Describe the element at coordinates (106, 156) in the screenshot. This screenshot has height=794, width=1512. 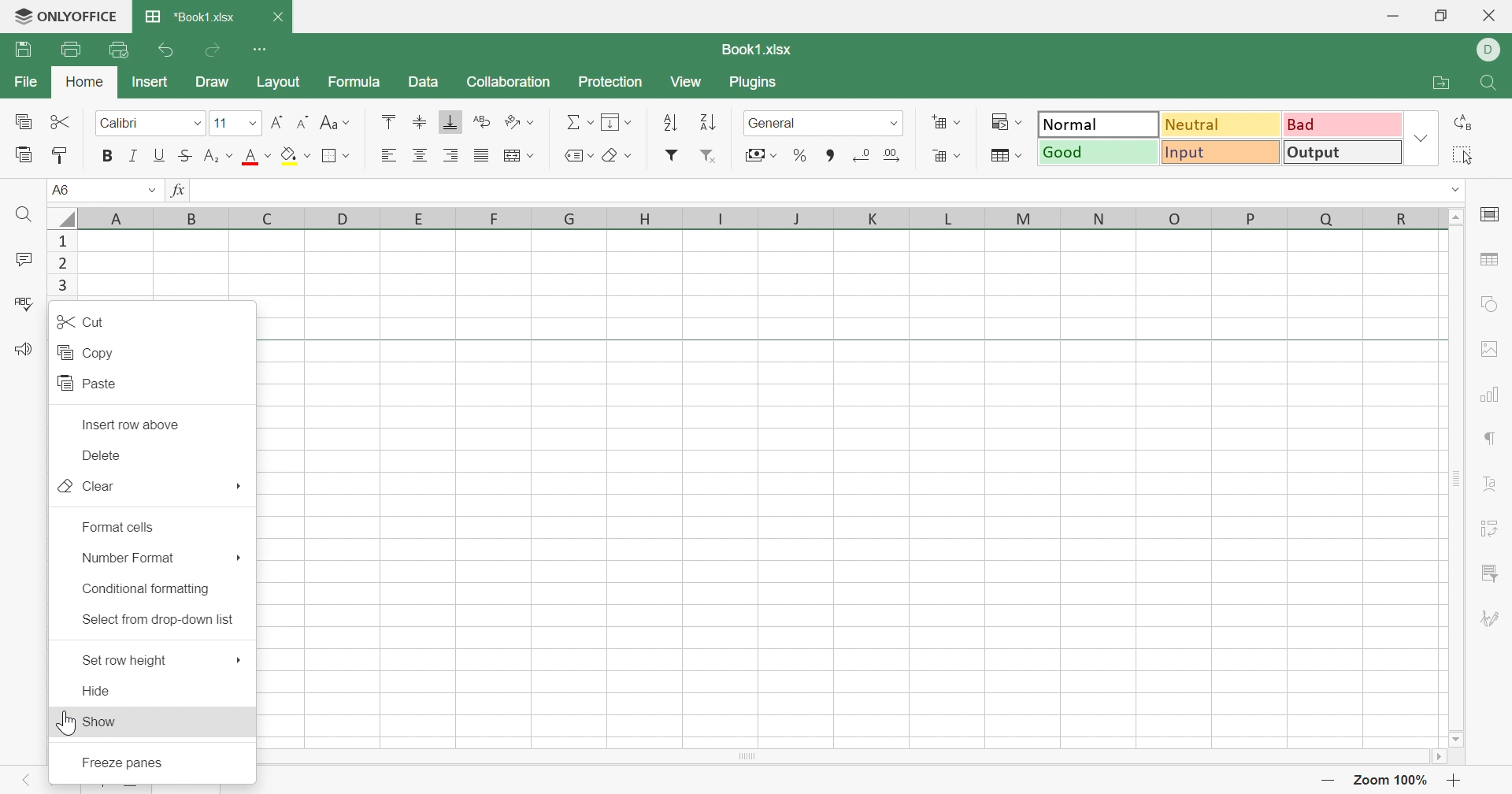
I see `Bold` at that location.